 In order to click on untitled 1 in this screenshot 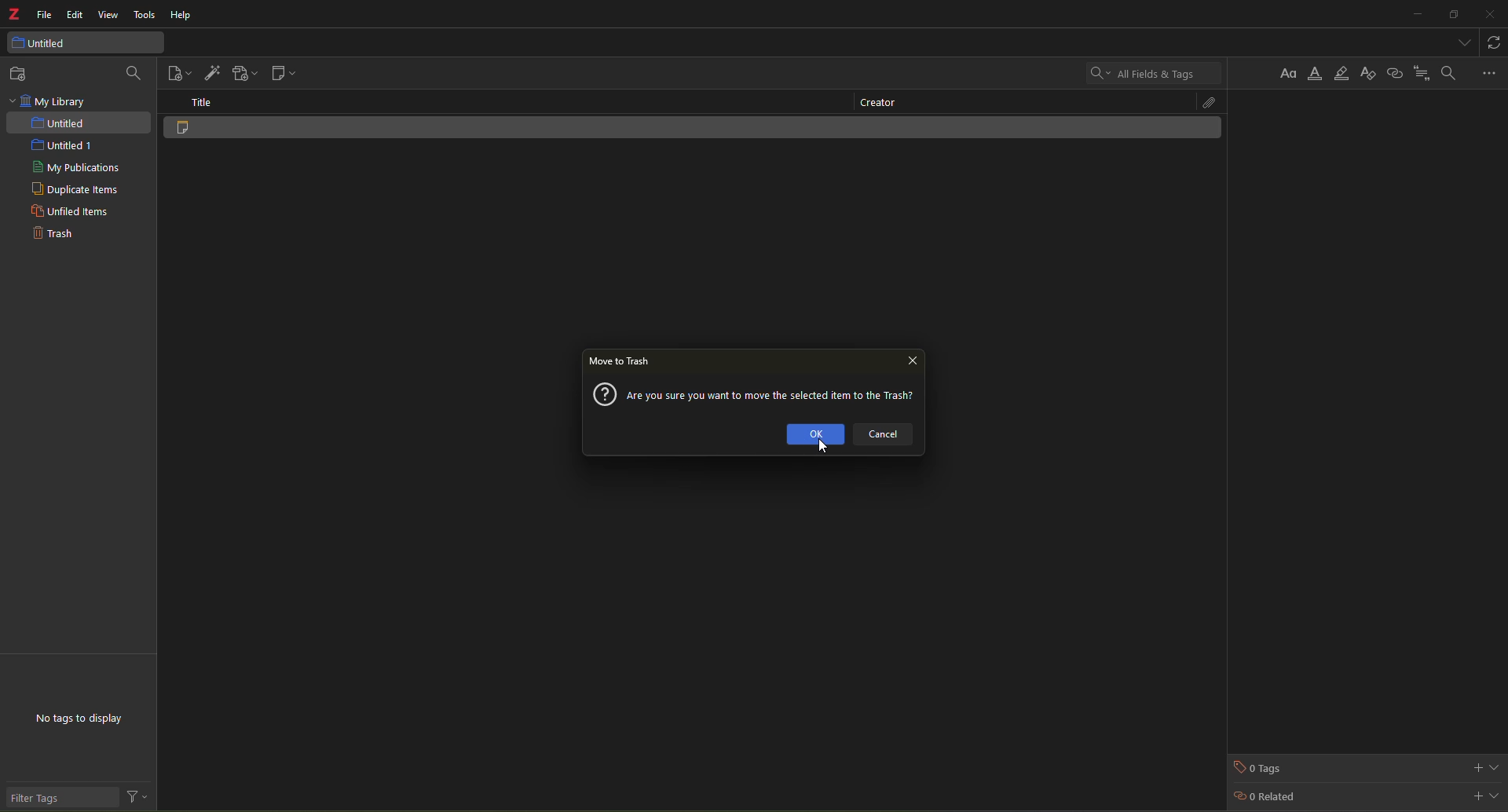, I will do `click(60, 146)`.